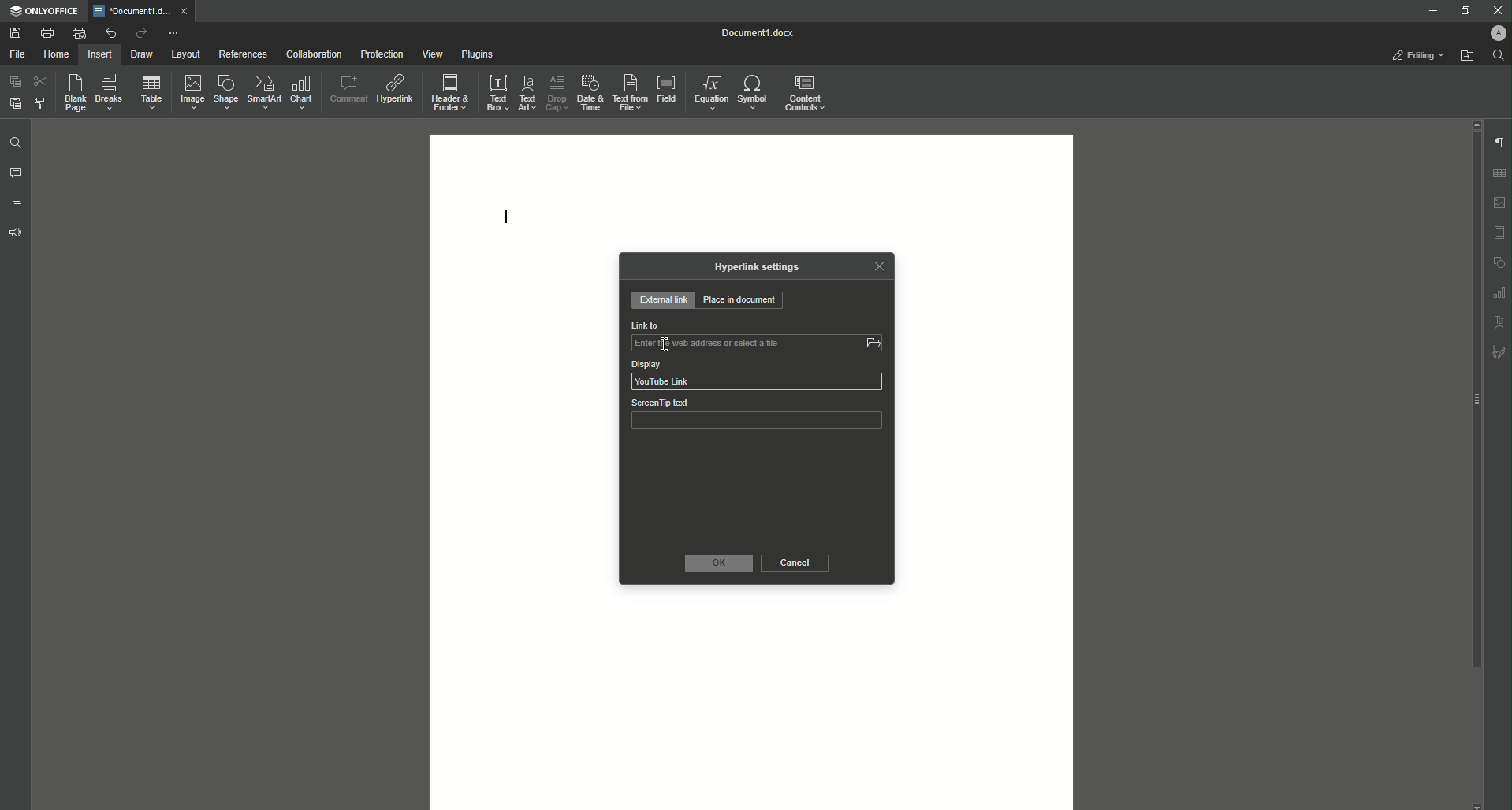 The image size is (1512, 810). What do you see at coordinates (47, 32) in the screenshot?
I see `Print` at bounding box center [47, 32].